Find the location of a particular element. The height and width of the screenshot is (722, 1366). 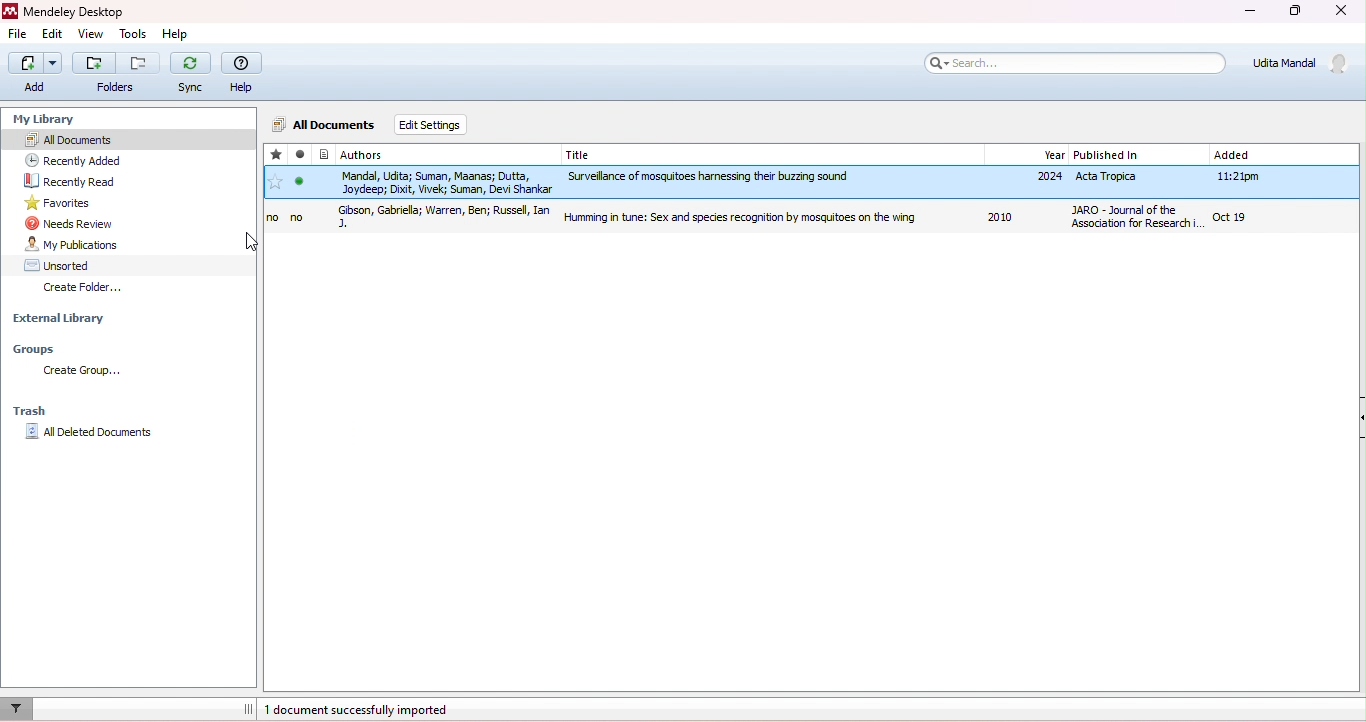

Collapse/Expand is located at coordinates (1362, 417).